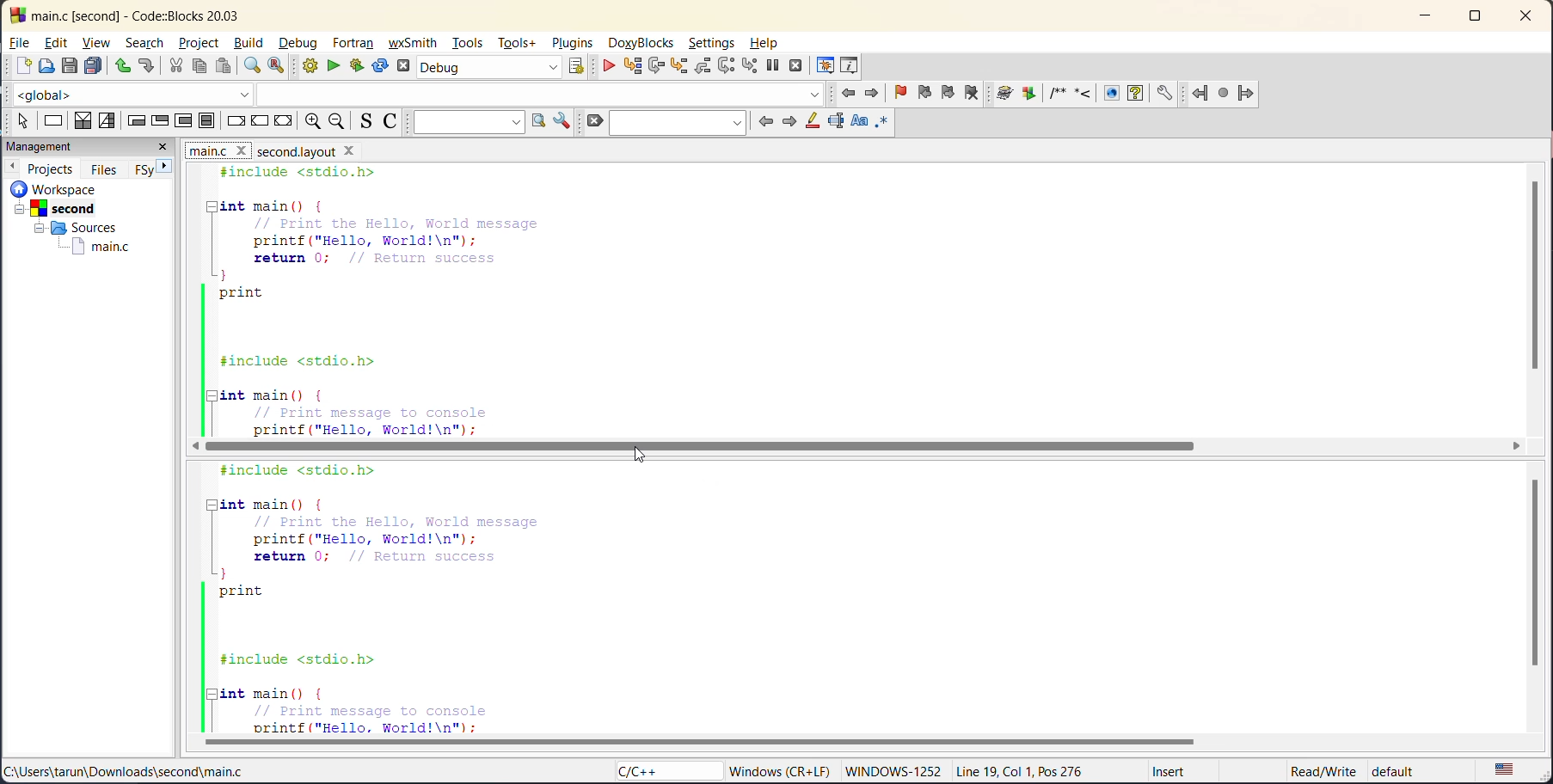  What do you see at coordinates (882, 124) in the screenshot?
I see `regex` at bounding box center [882, 124].